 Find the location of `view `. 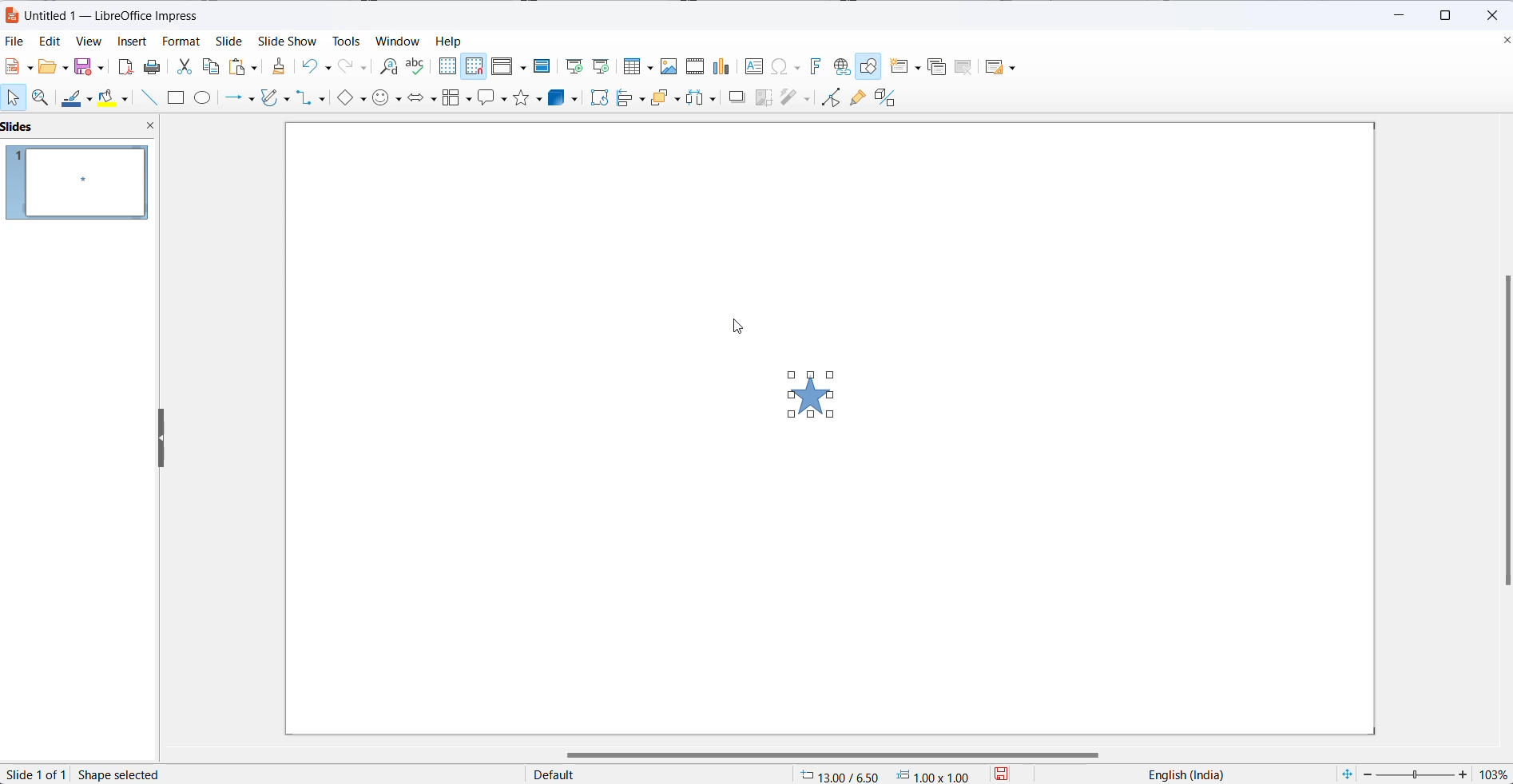

view  is located at coordinates (84, 42).